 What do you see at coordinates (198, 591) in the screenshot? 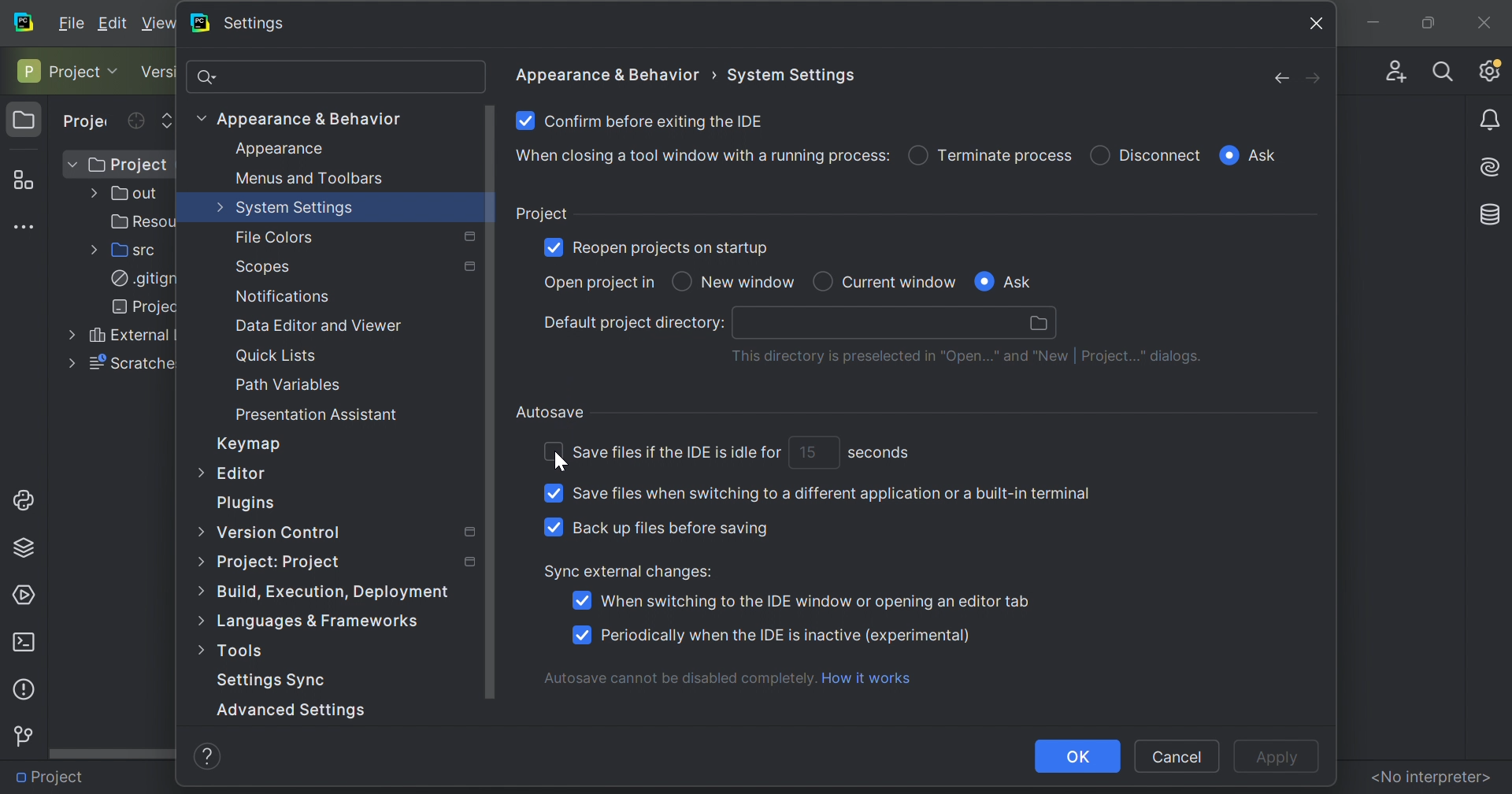
I see `More` at bounding box center [198, 591].